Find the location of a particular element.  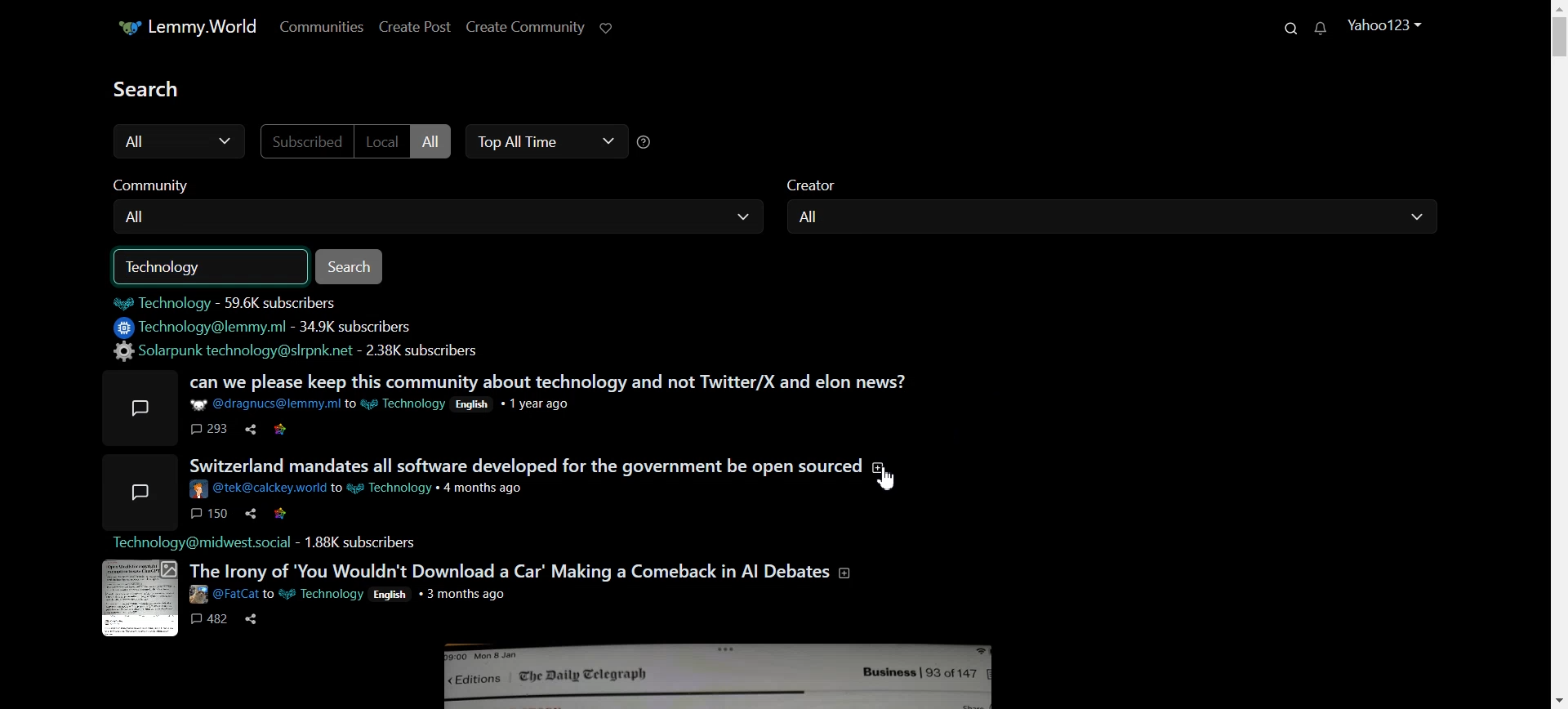

share is located at coordinates (252, 430).